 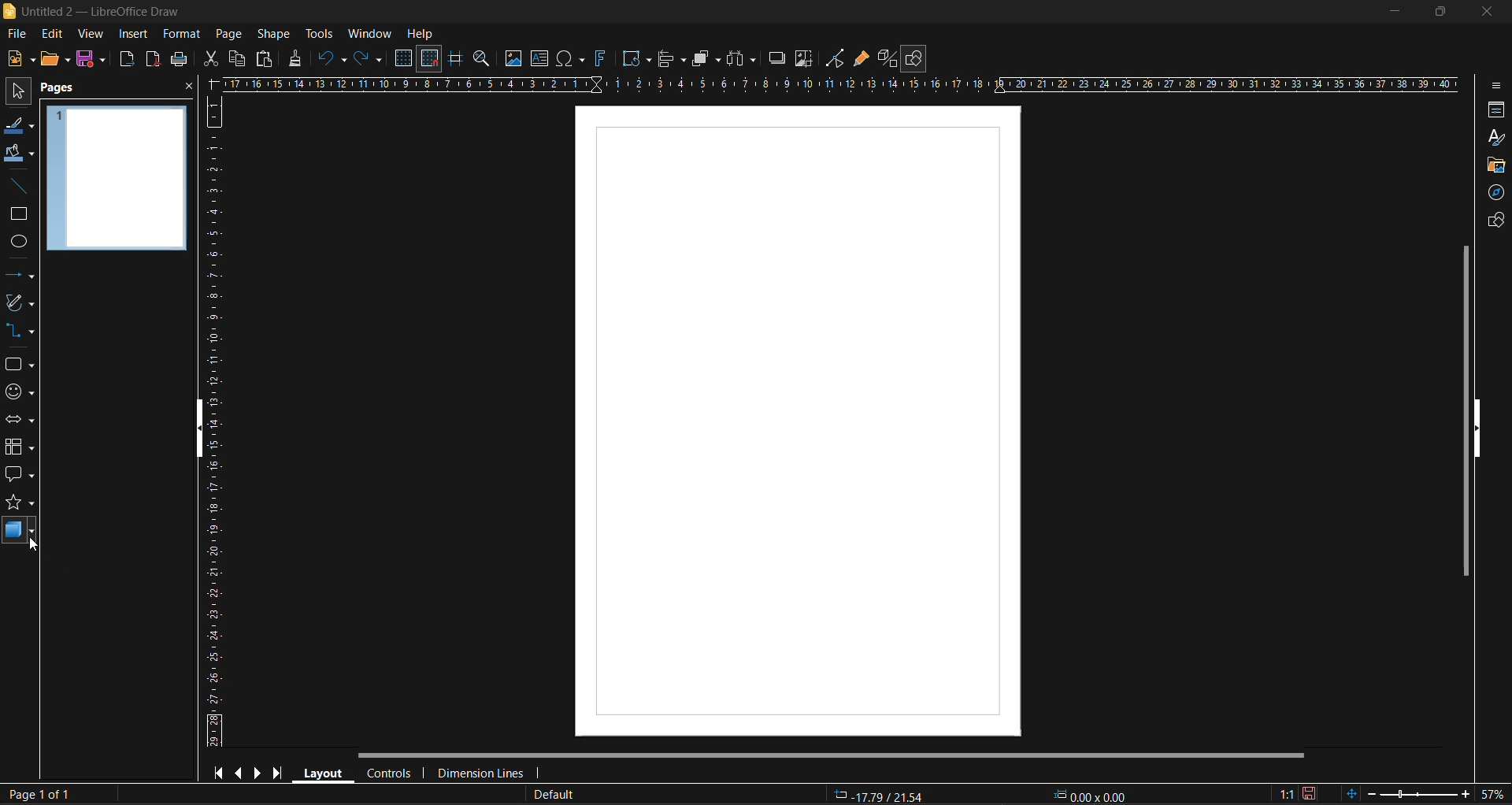 I want to click on cut, so click(x=213, y=60).